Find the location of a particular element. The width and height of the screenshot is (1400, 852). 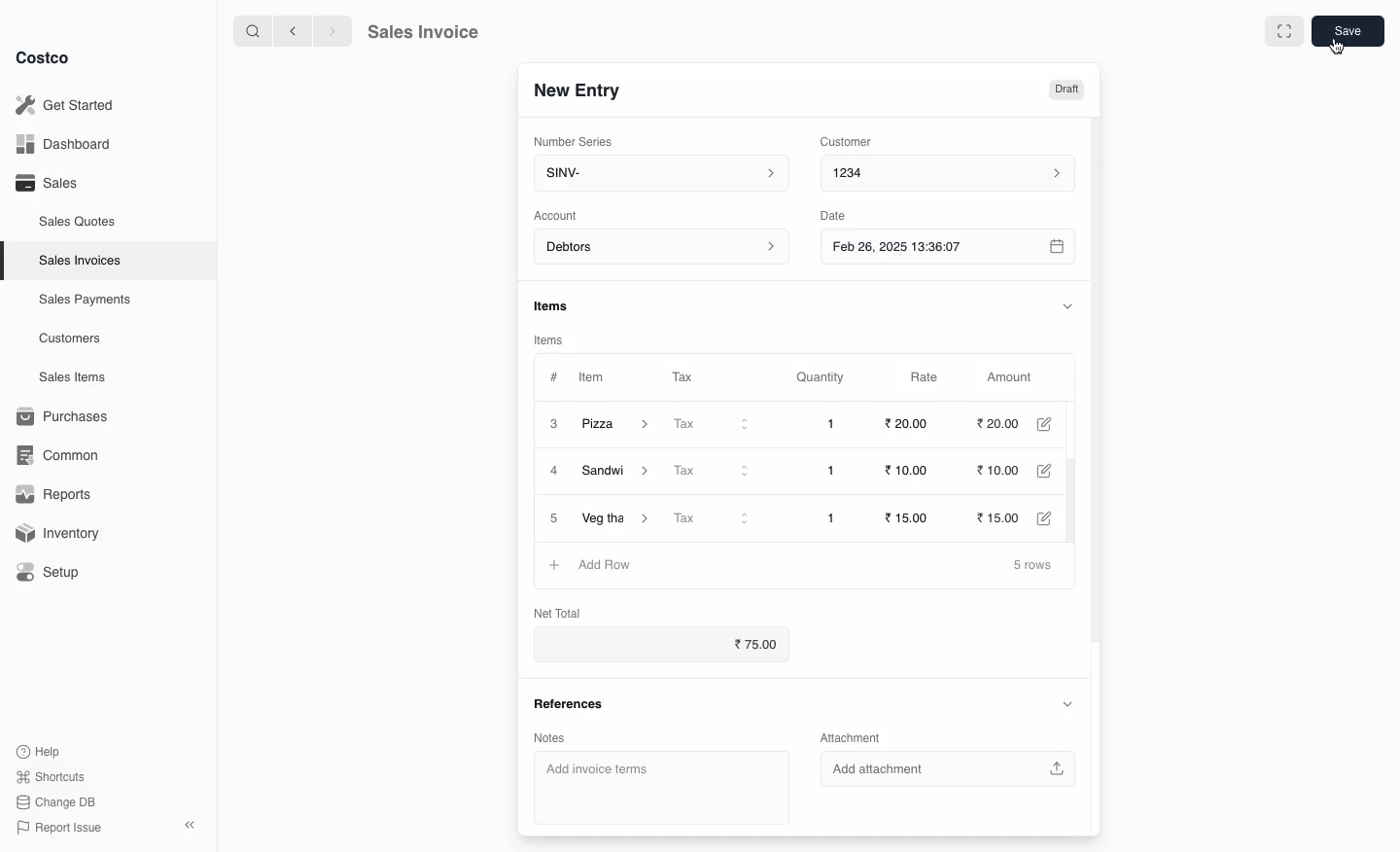

Feb 26, 2025 13:36:07 is located at coordinates (950, 246).